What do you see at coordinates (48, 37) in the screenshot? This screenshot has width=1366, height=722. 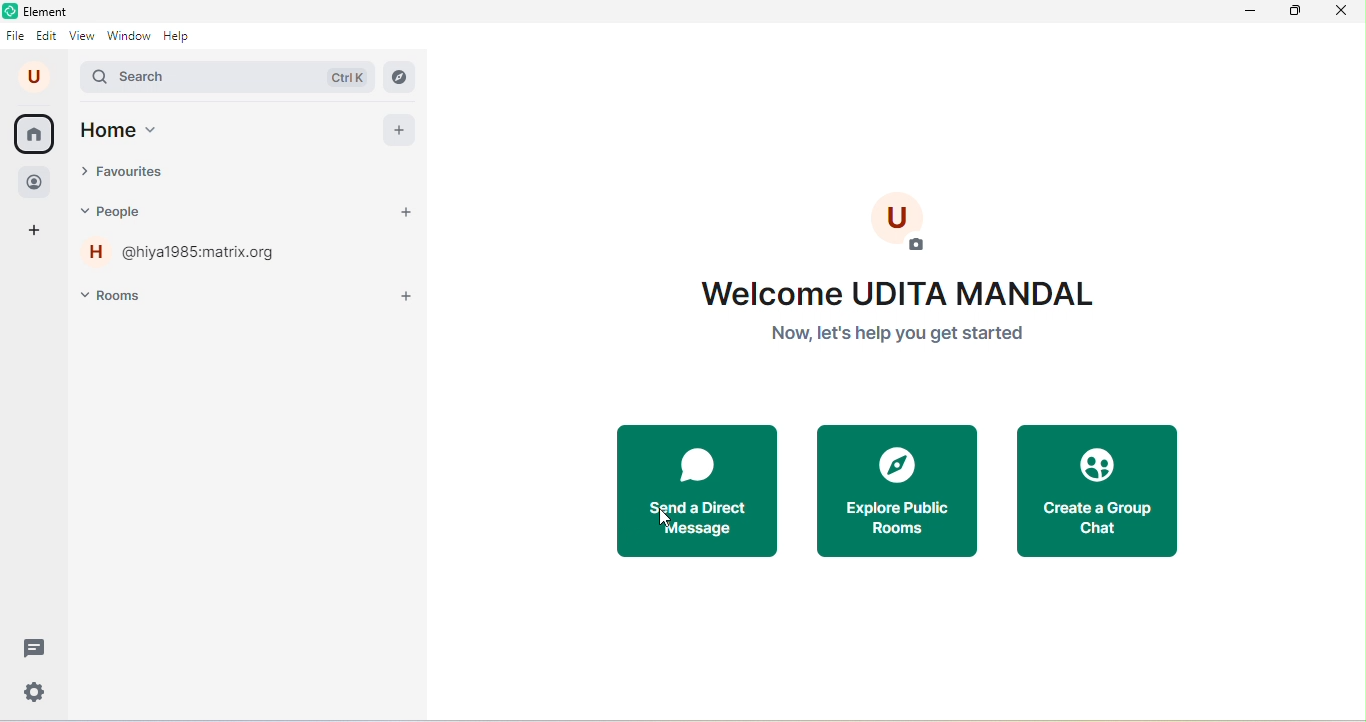 I see `edit` at bounding box center [48, 37].